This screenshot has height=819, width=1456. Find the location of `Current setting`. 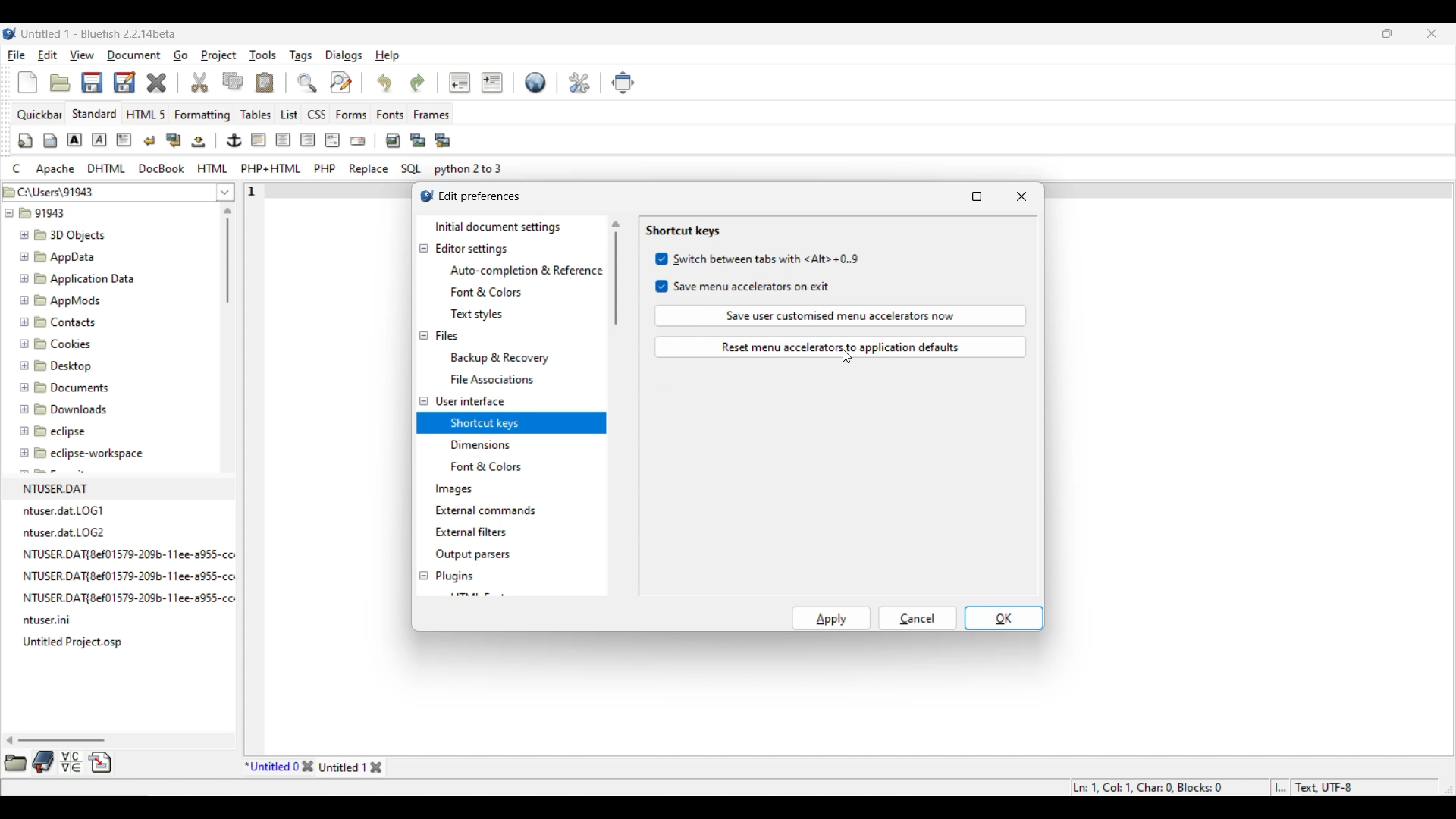

Current setting is located at coordinates (682, 231).